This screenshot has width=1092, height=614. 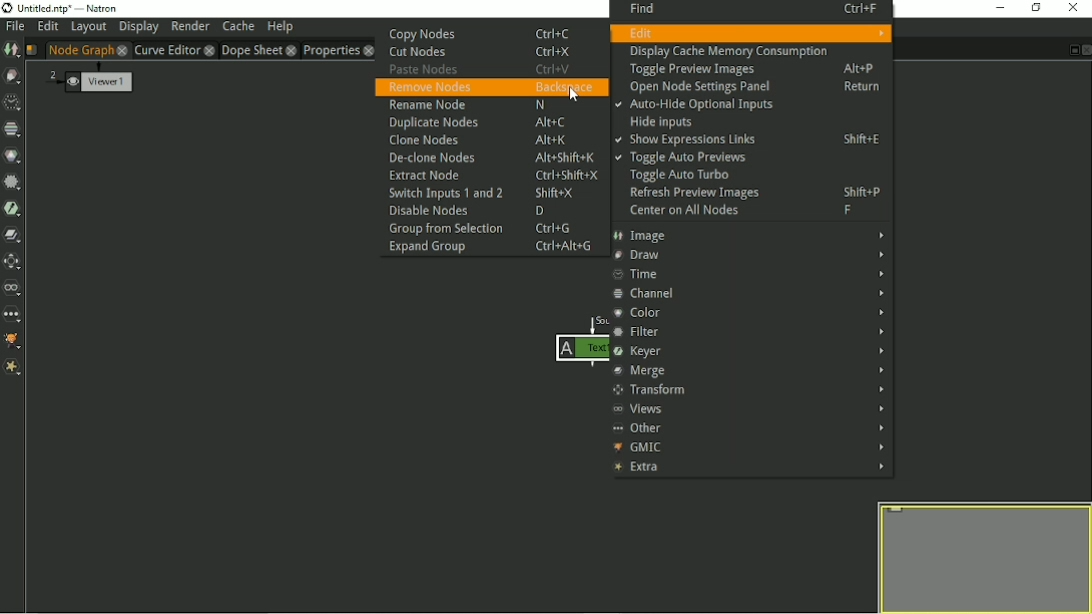 What do you see at coordinates (484, 105) in the screenshot?
I see `Rename Node` at bounding box center [484, 105].